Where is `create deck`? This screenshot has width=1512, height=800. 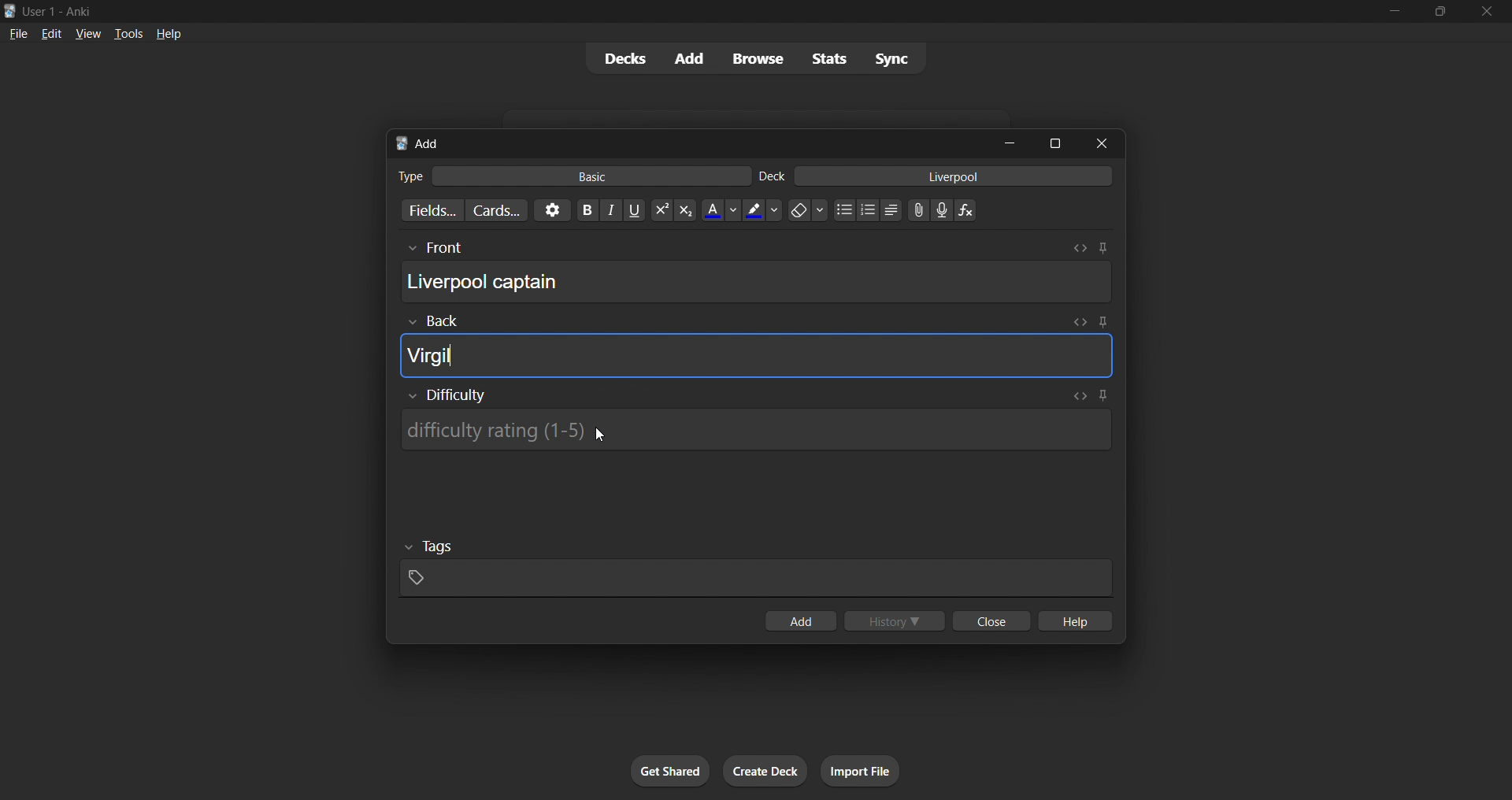
create deck is located at coordinates (765, 771).